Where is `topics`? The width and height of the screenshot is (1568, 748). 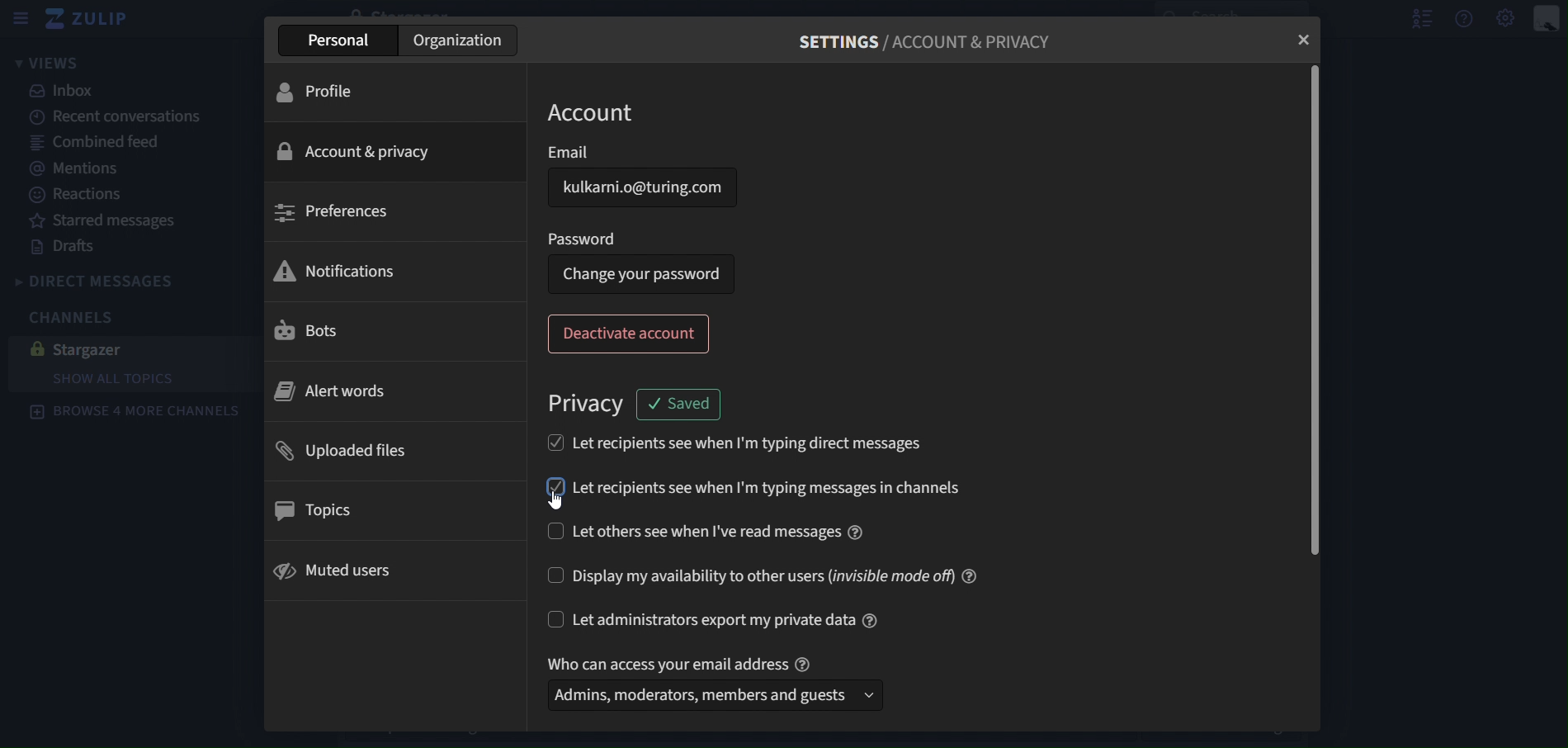
topics is located at coordinates (319, 511).